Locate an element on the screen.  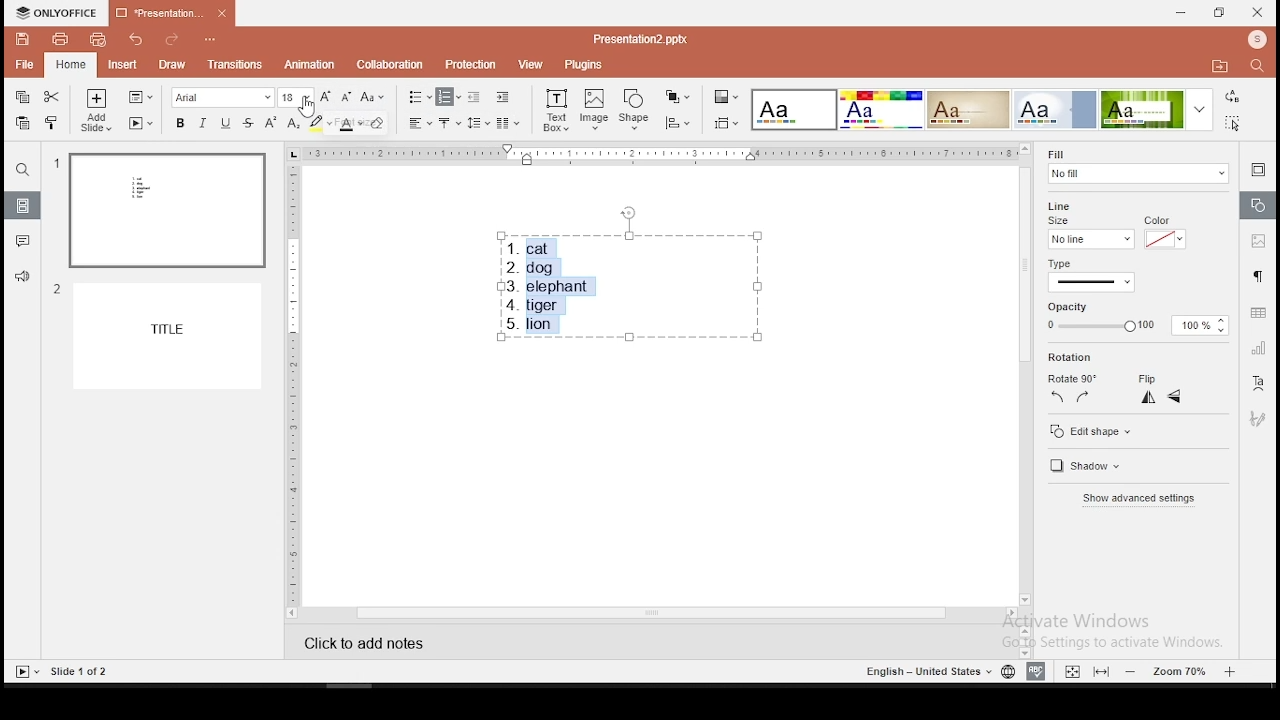
font color is located at coordinates (350, 123).